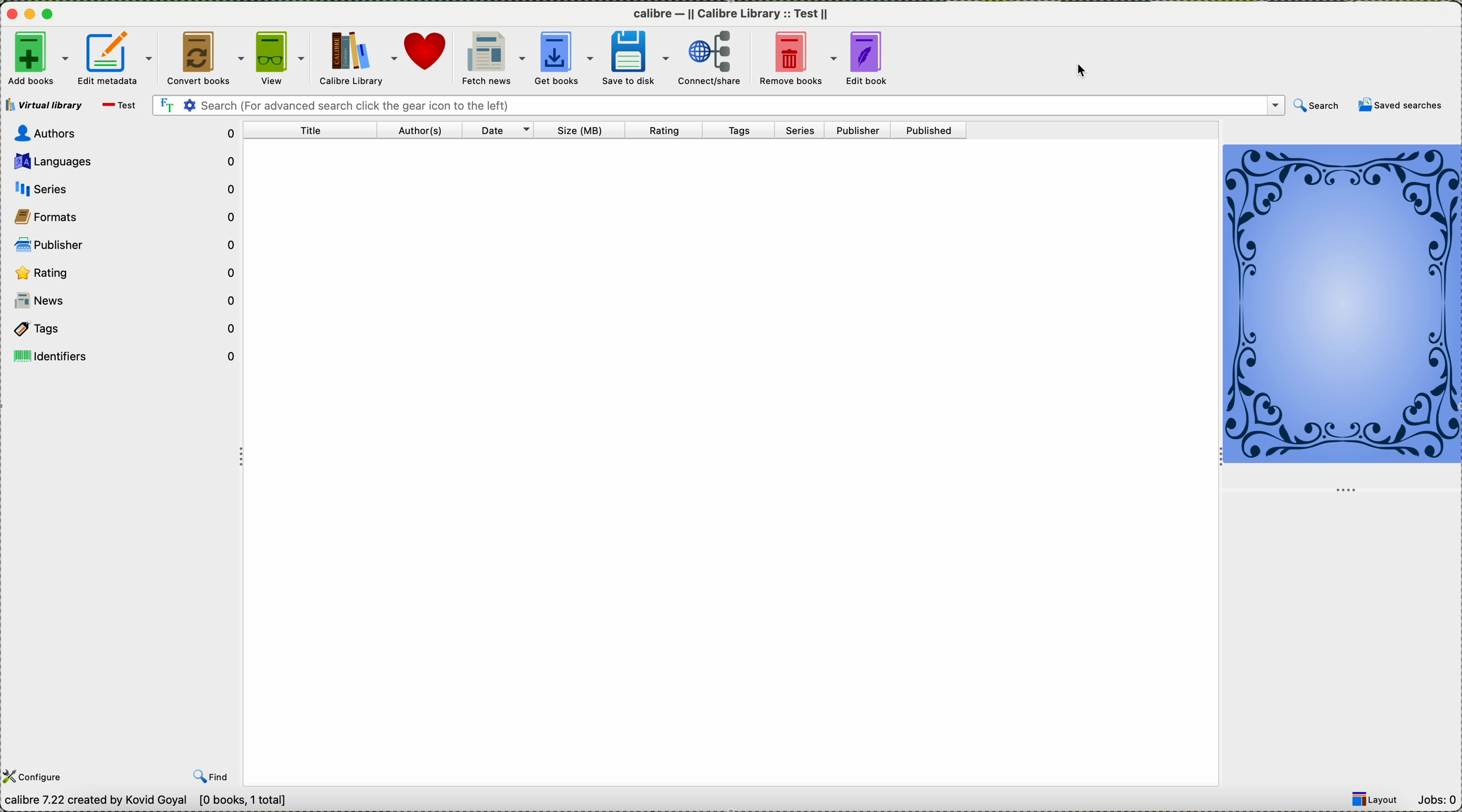 Image resolution: width=1462 pixels, height=812 pixels. I want to click on tags, so click(746, 130).